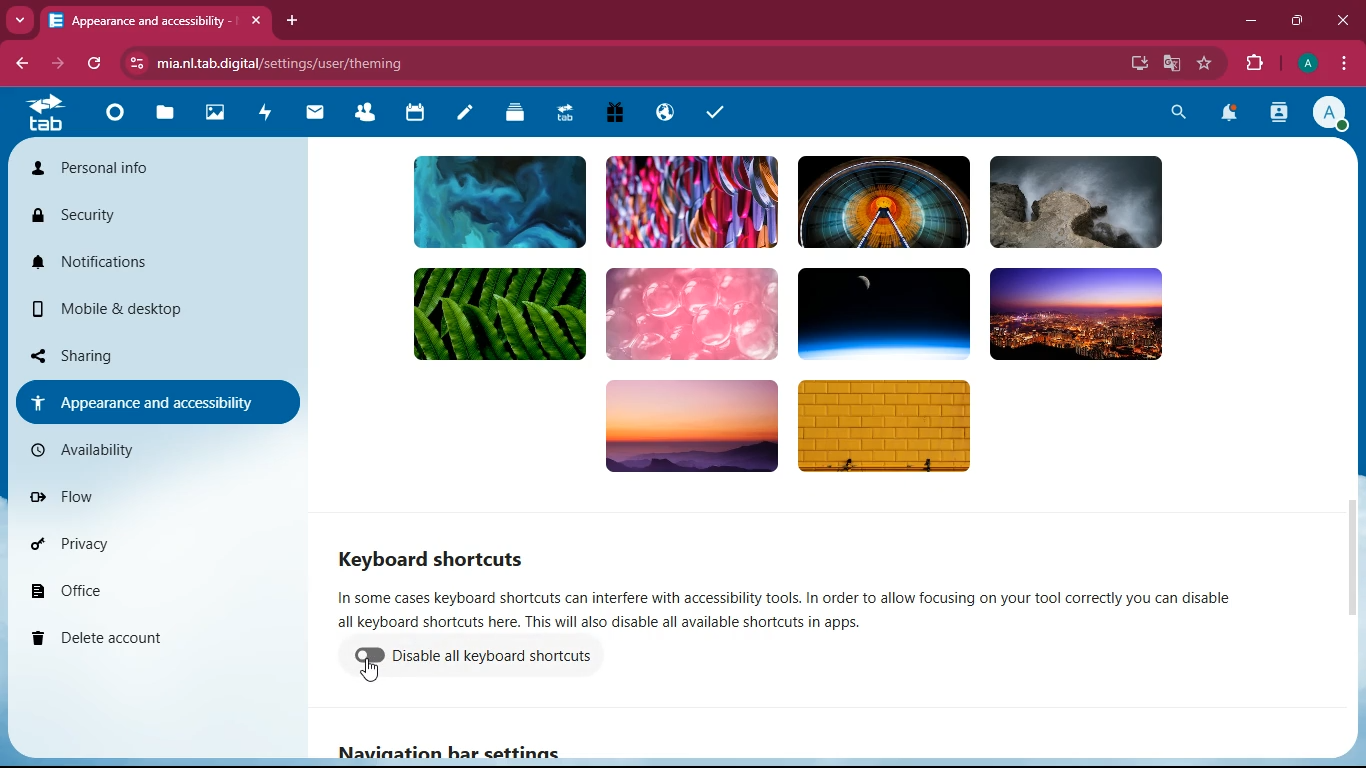 The height and width of the screenshot is (768, 1366). What do you see at coordinates (155, 454) in the screenshot?
I see `availiability` at bounding box center [155, 454].